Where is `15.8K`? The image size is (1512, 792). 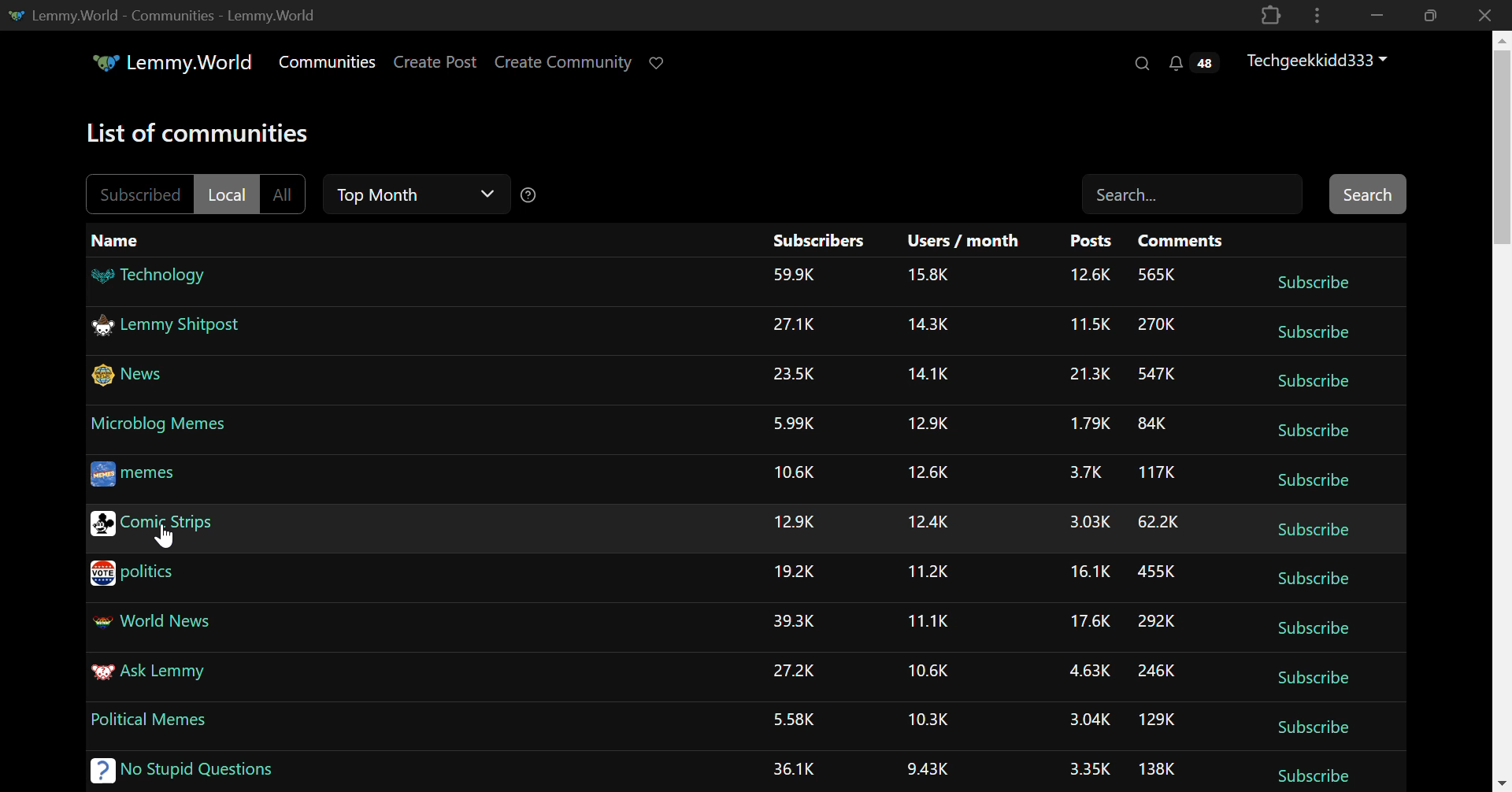
15.8K is located at coordinates (929, 276).